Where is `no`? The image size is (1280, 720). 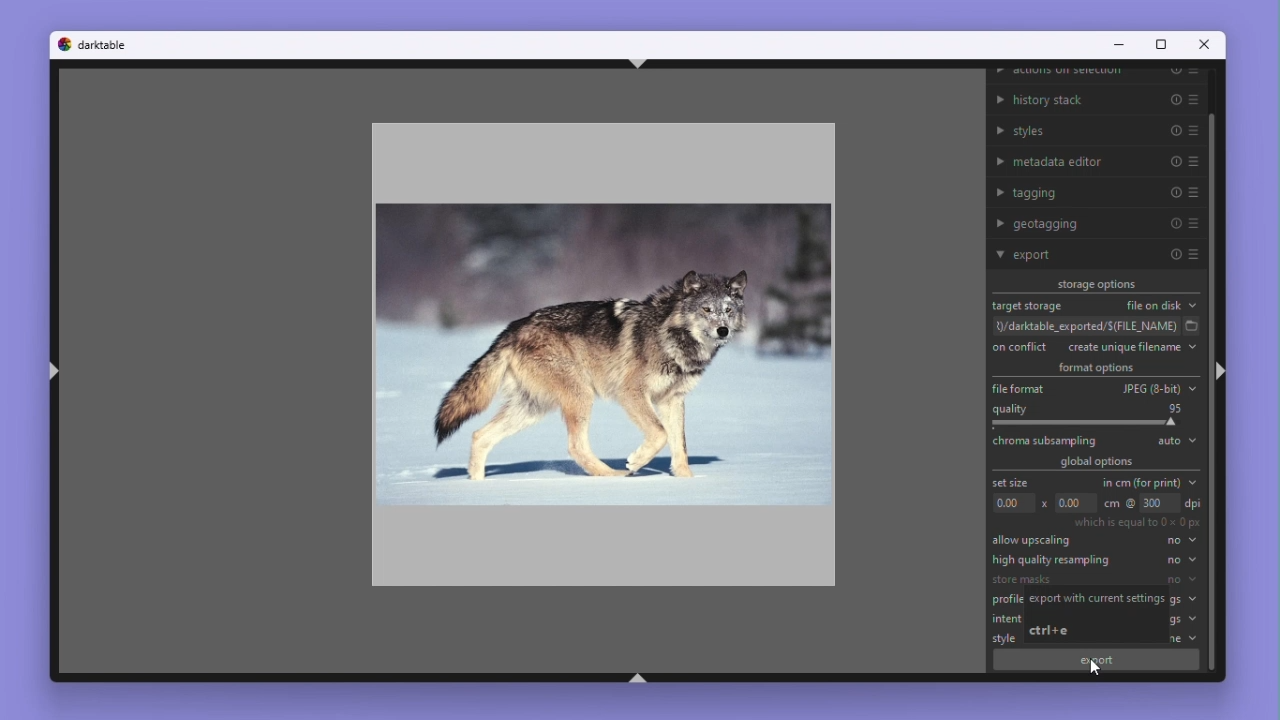
no is located at coordinates (1184, 540).